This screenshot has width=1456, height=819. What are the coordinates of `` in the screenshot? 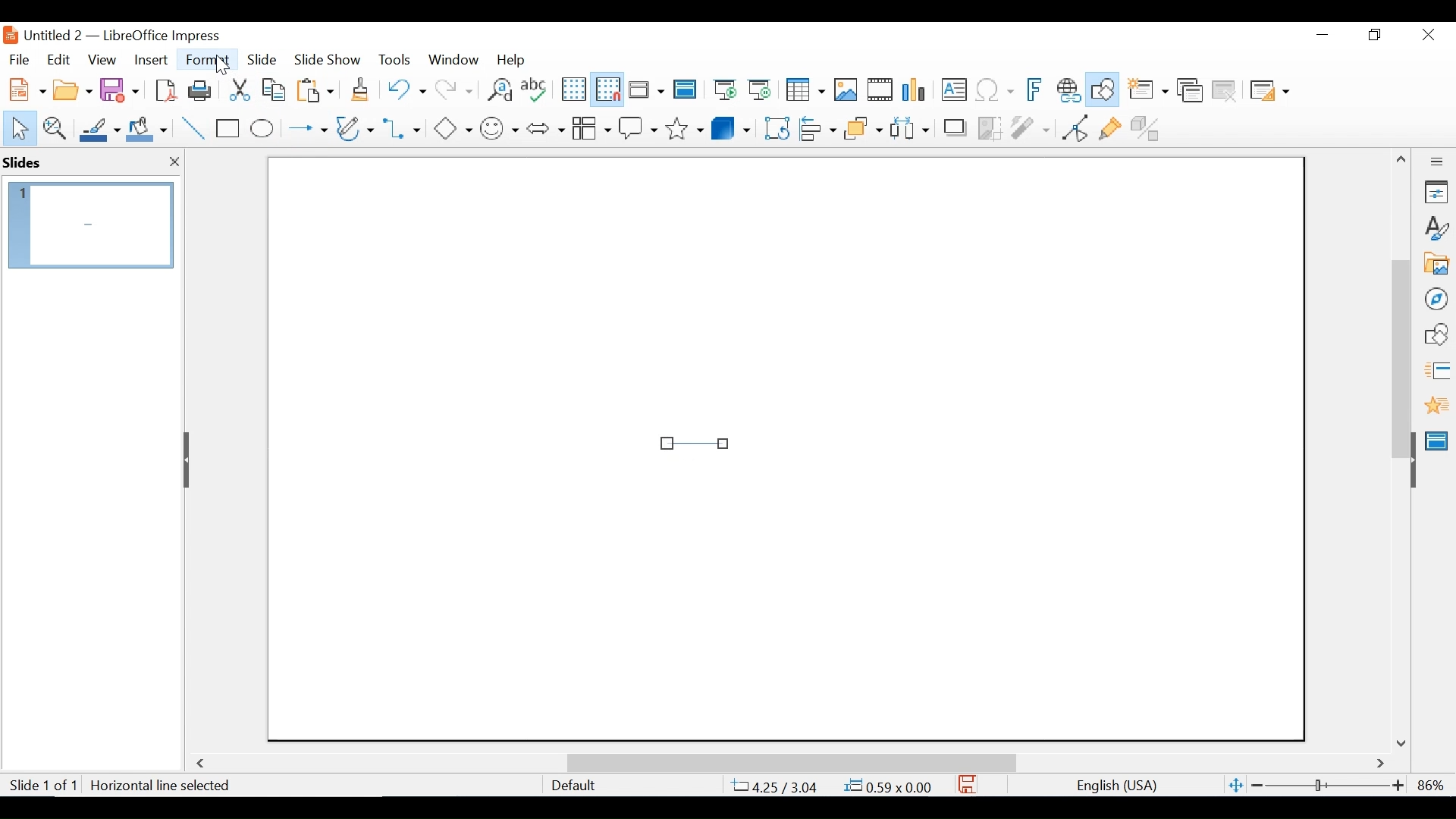 It's located at (356, 127).